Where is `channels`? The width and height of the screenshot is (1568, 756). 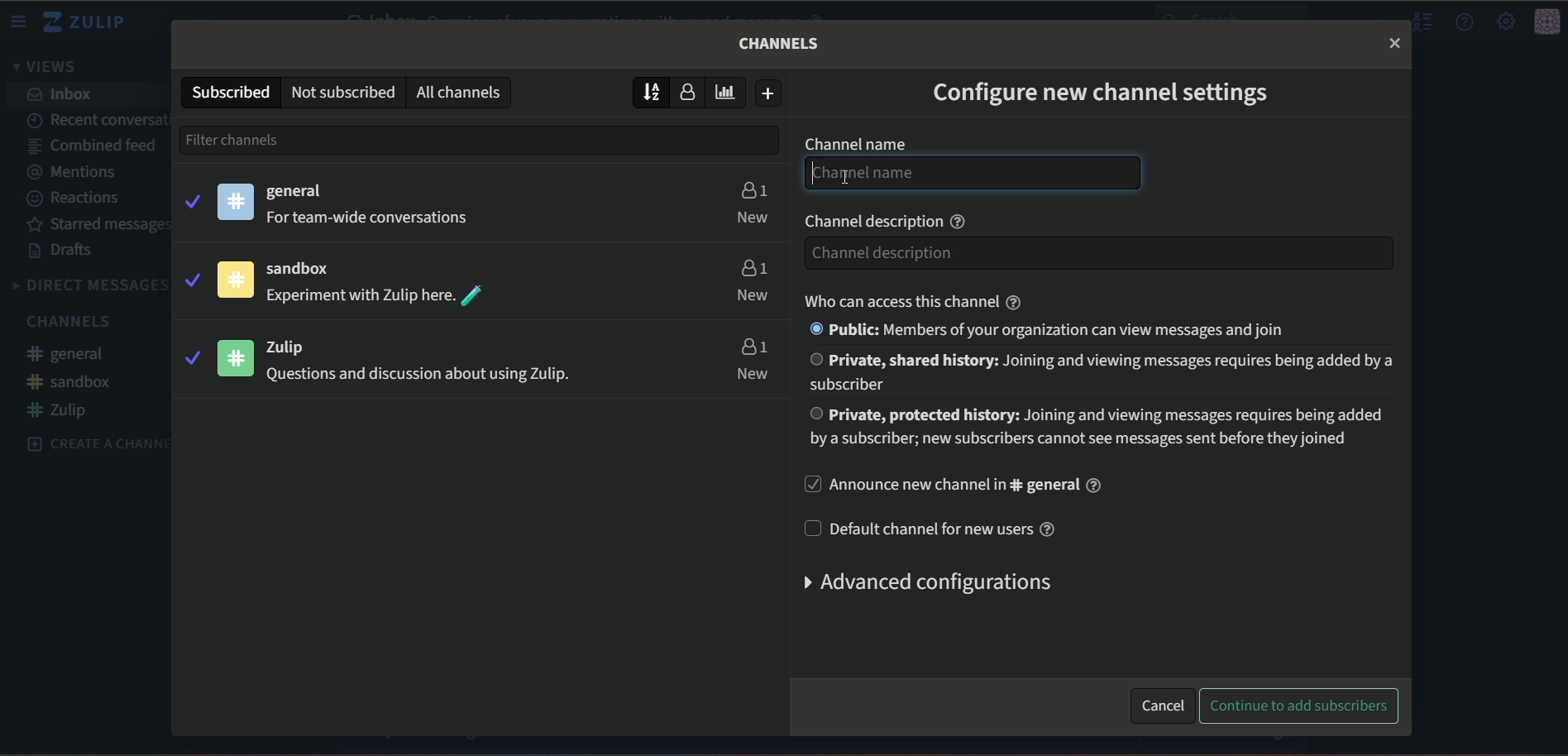
channels is located at coordinates (73, 321).